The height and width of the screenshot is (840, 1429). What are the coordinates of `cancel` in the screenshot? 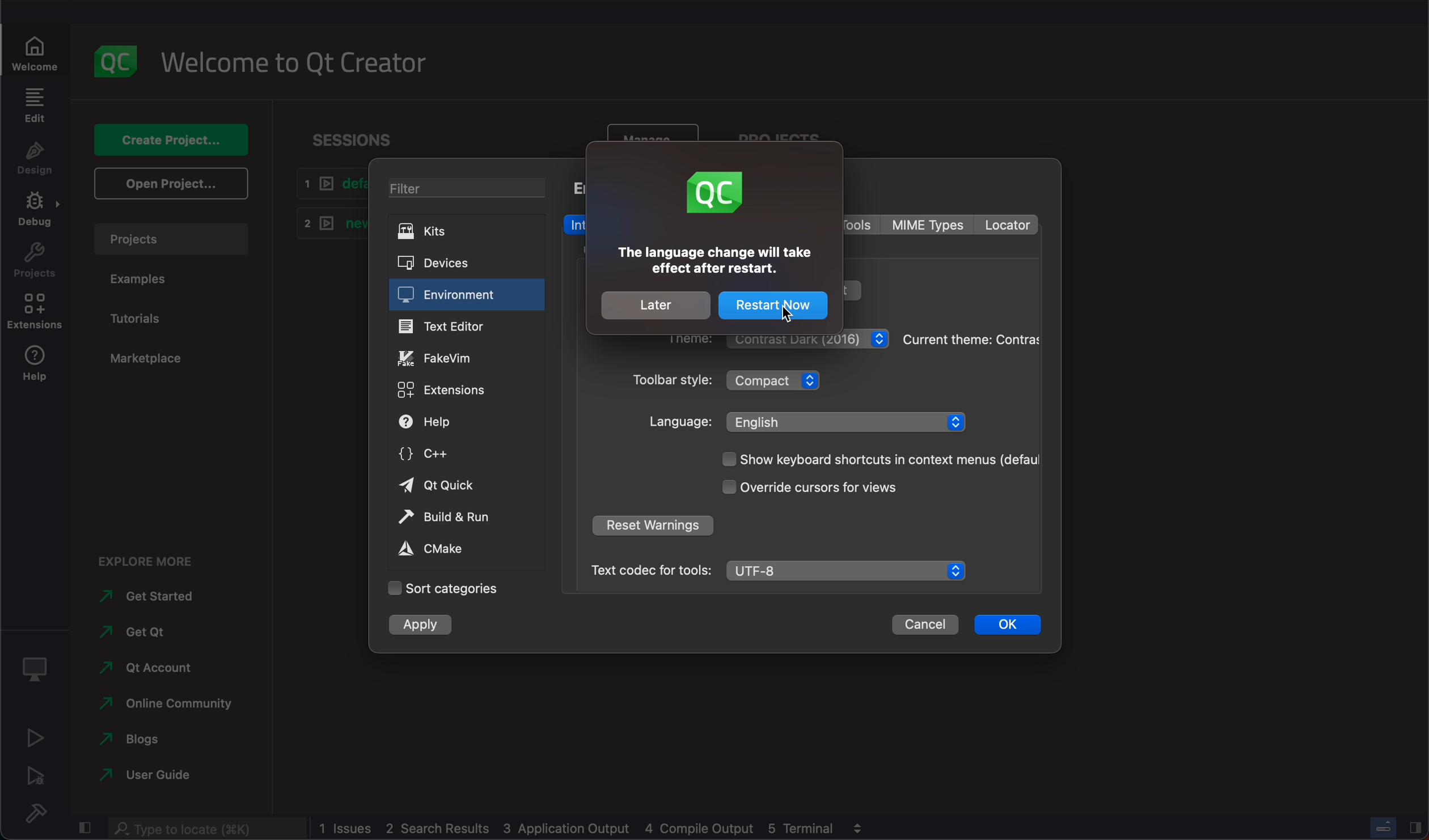 It's located at (928, 626).